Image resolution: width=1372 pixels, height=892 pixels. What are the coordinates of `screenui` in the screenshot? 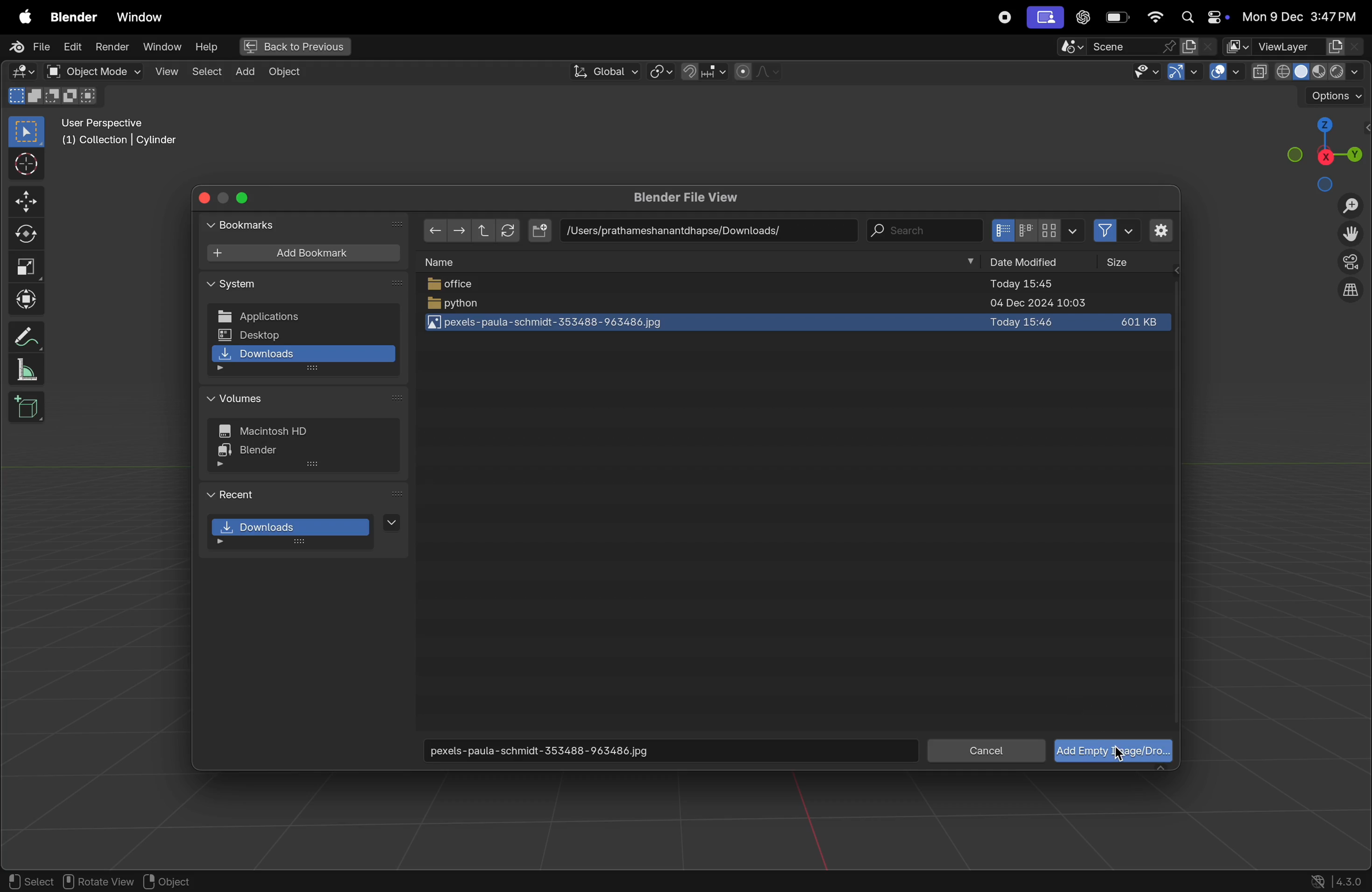 It's located at (1044, 17).